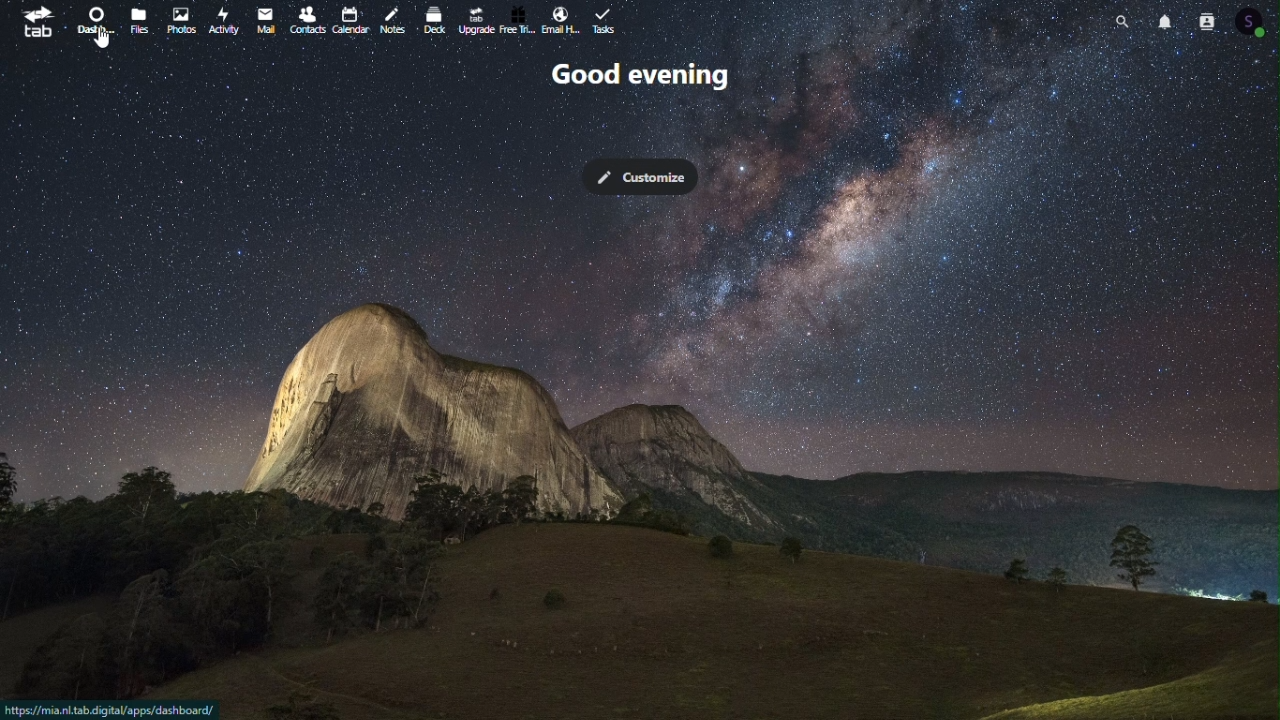 Image resolution: width=1280 pixels, height=720 pixels. I want to click on Account icon, so click(1256, 21).